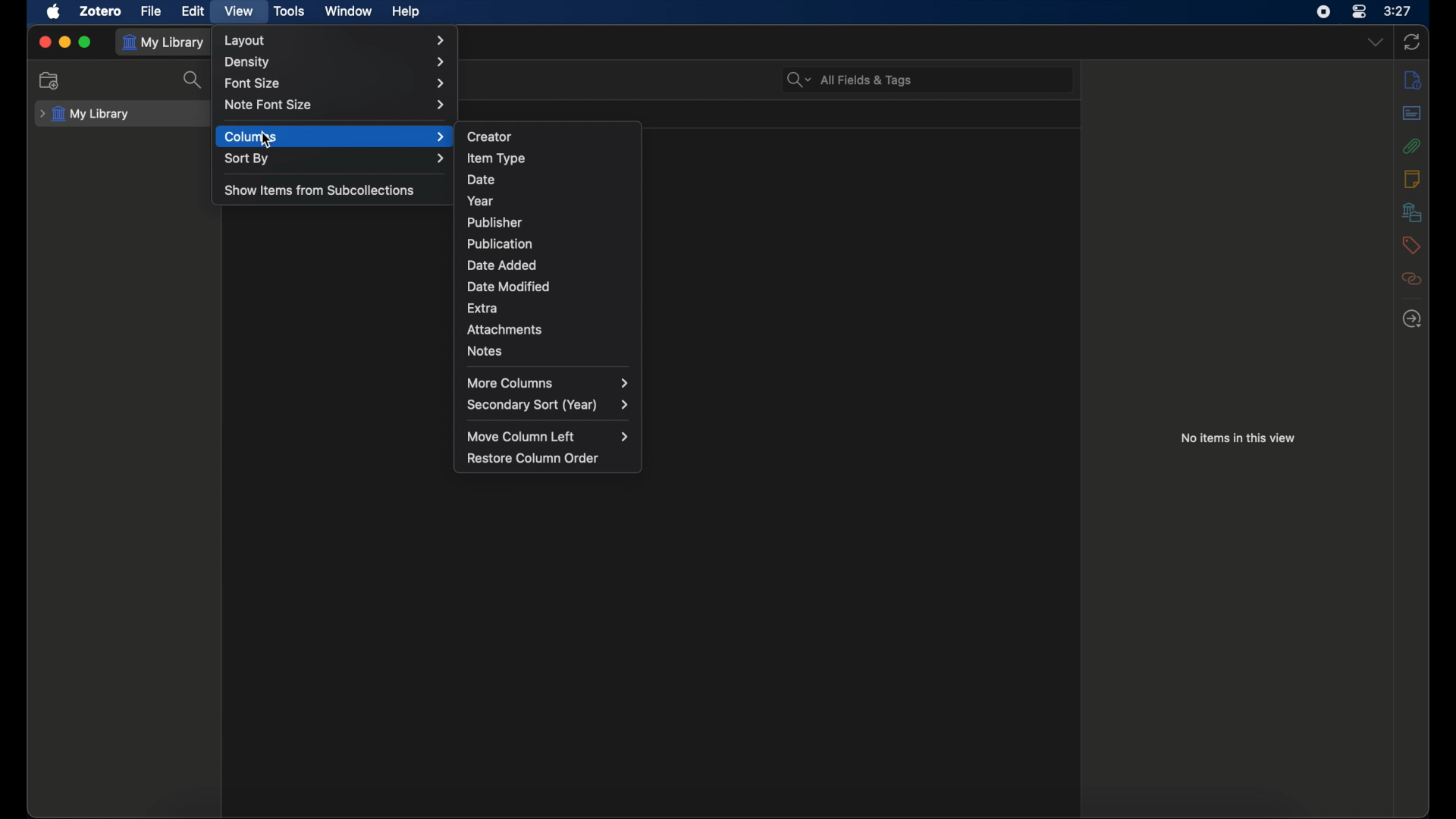 This screenshot has width=1456, height=819. I want to click on control center, so click(1359, 11).